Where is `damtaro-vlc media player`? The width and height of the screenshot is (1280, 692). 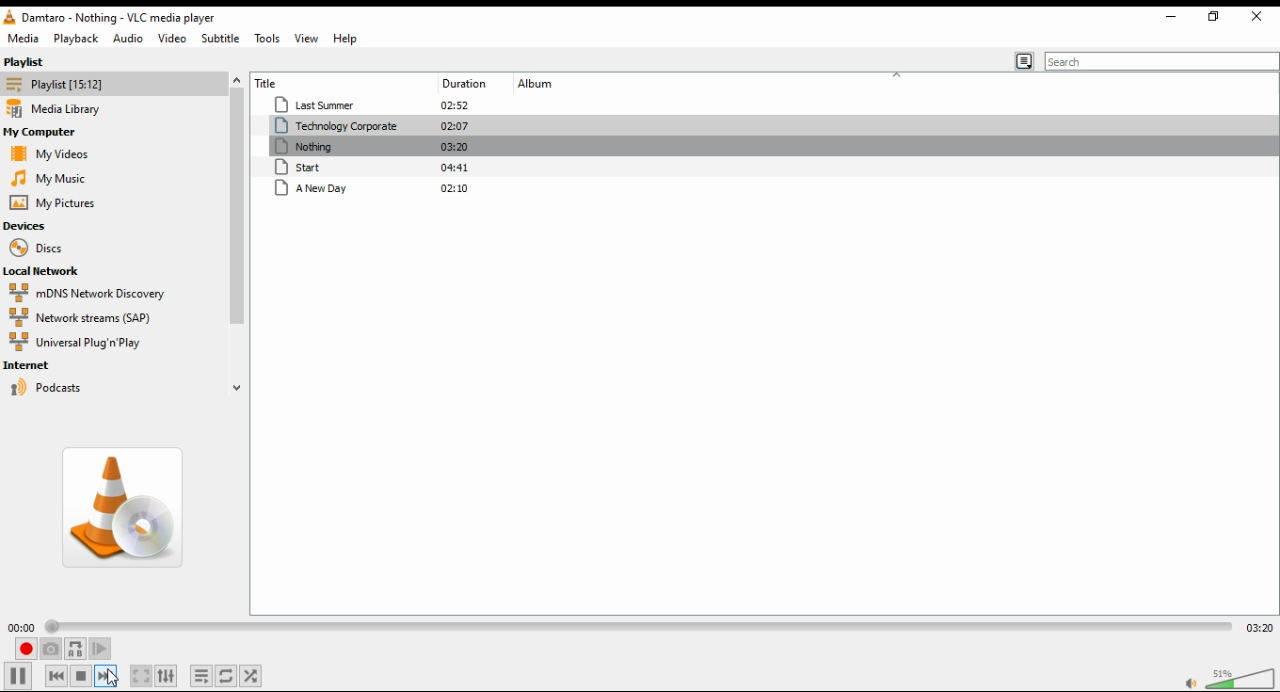 damtaro-vlc media player is located at coordinates (160, 18).